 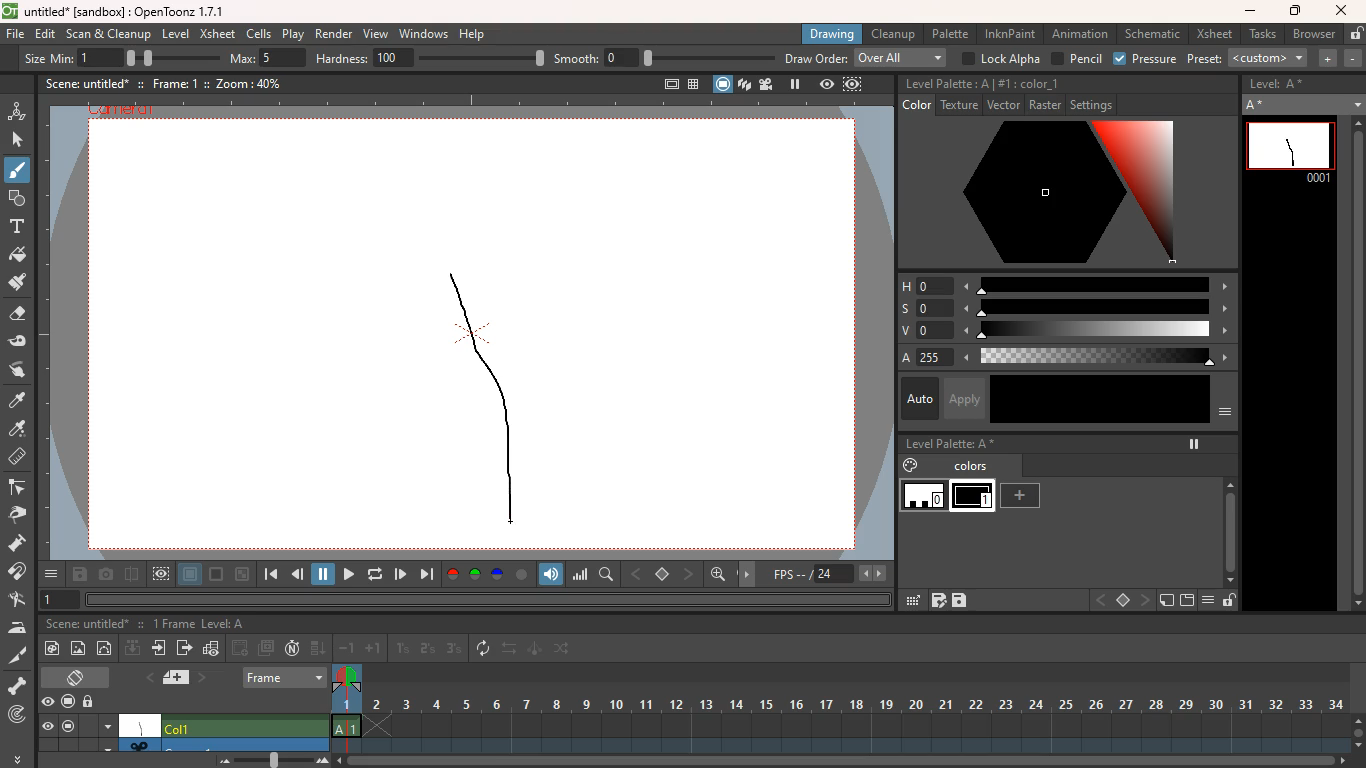 What do you see at coordinates (241, 647) in the screenshot?
I see `back` at bounding box center [241, 647].